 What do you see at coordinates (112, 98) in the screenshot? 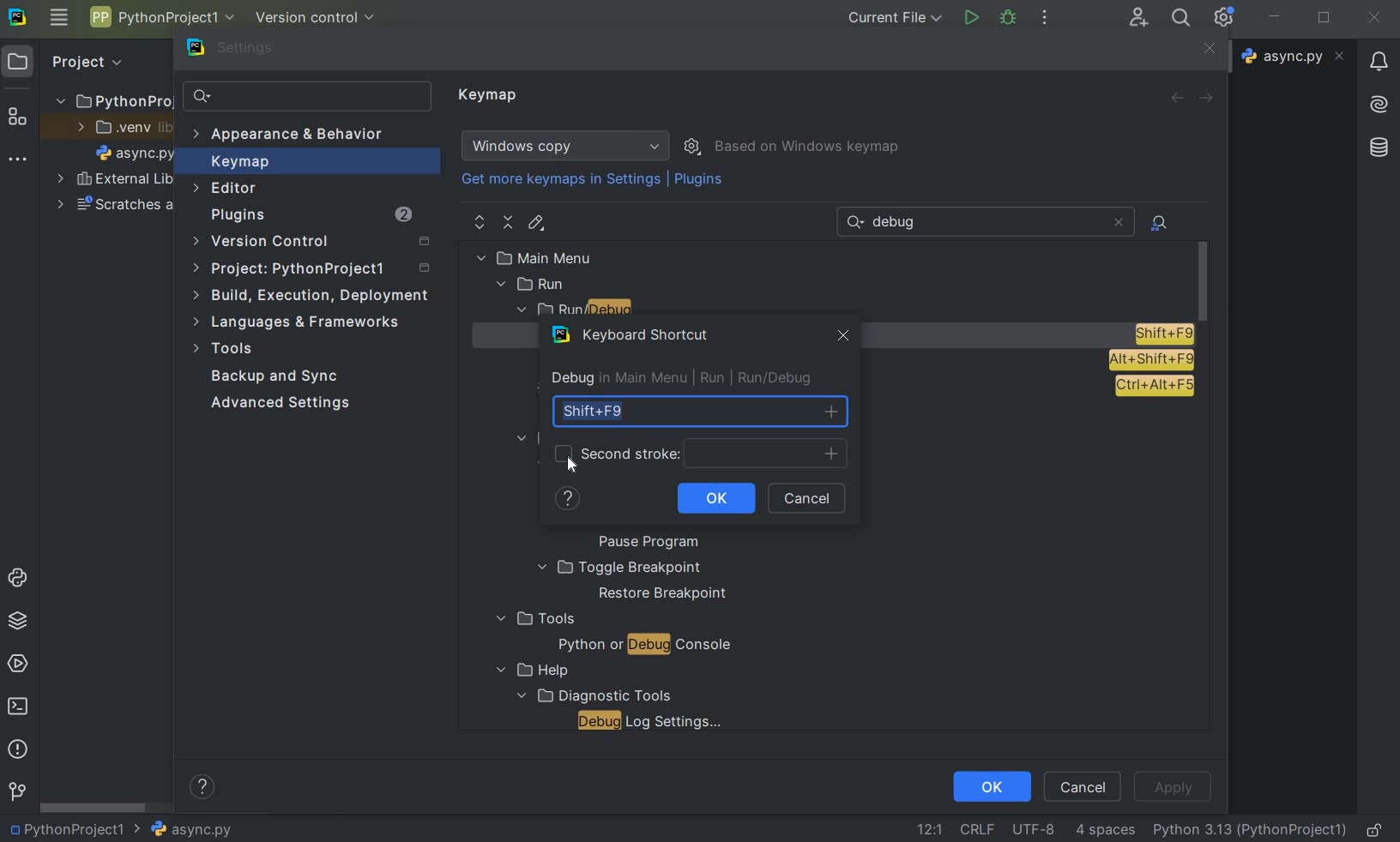
I see `project name` at bounding box center [112, 98].